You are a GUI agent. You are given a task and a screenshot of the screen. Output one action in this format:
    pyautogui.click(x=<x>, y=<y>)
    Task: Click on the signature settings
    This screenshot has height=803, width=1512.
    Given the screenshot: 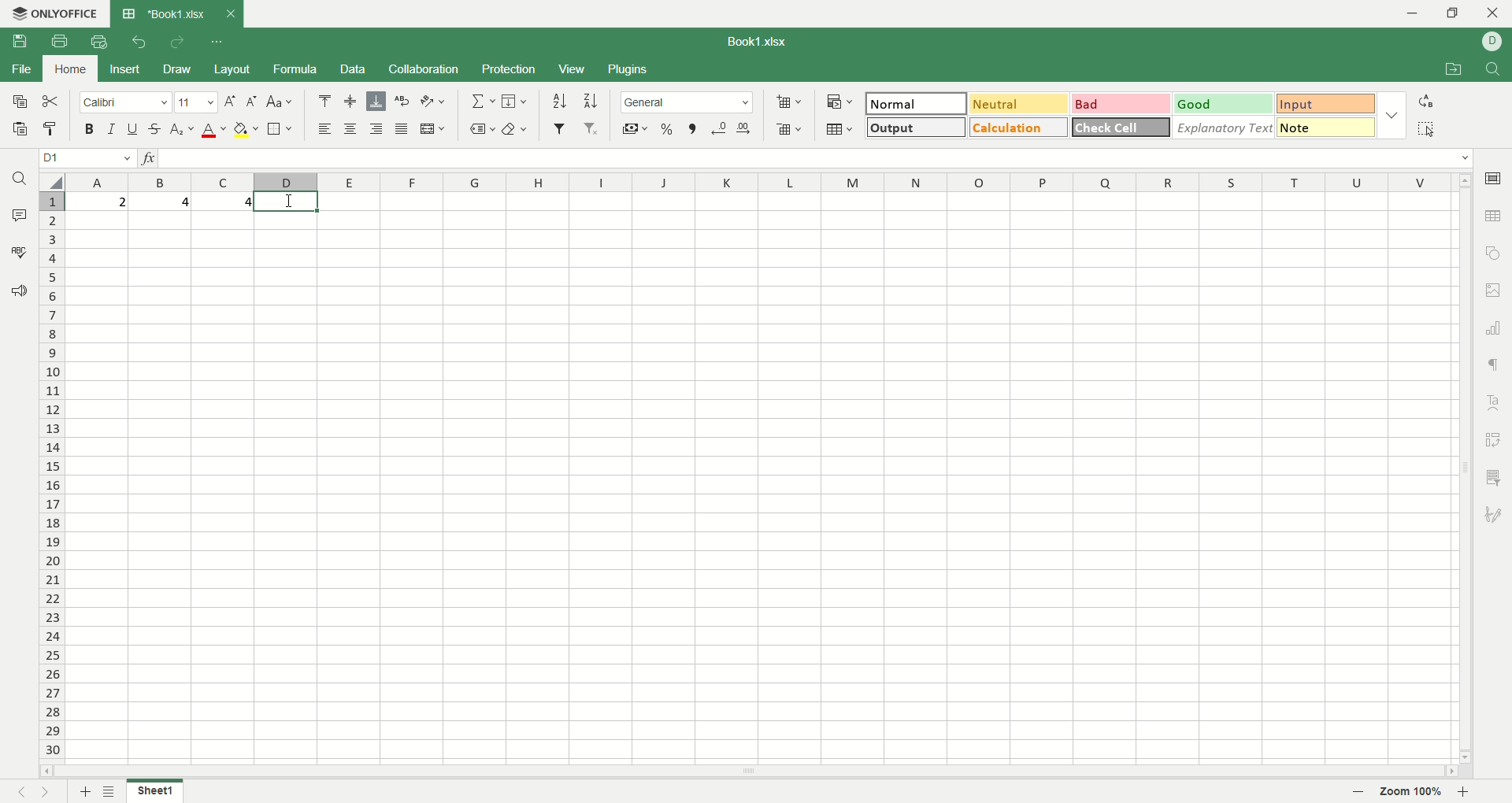 What is the action you would take?
    pyautogui.click(x=1492, y=516)
    